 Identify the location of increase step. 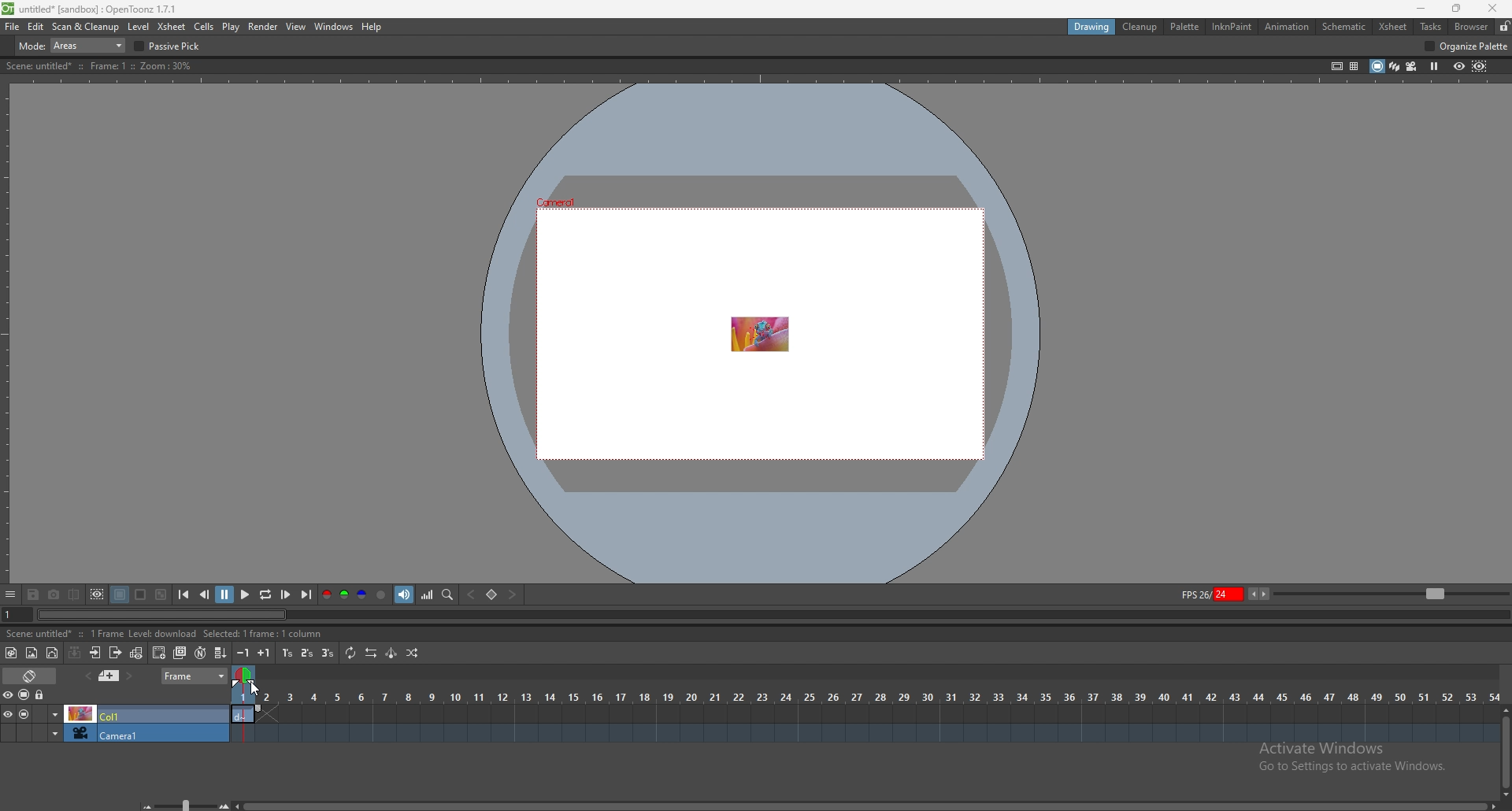
(264, 653).